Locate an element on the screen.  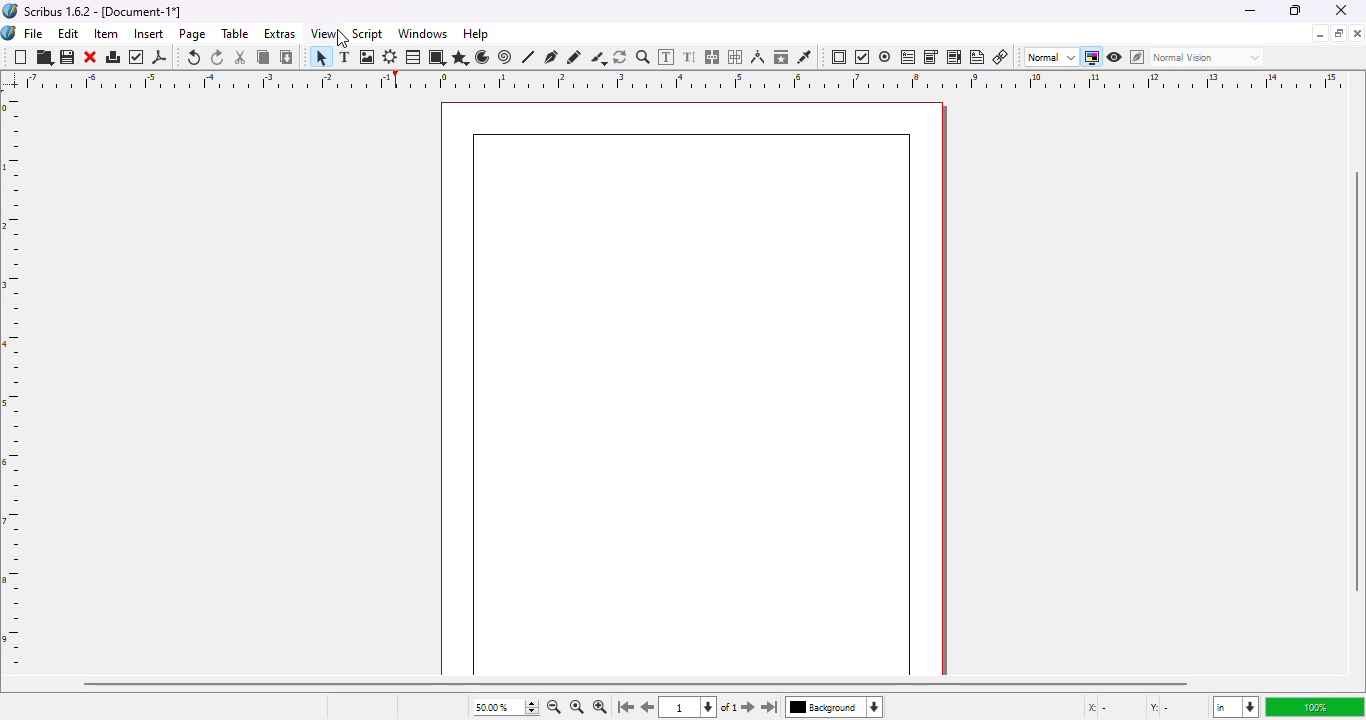
close is located at coordinates (91, 57).